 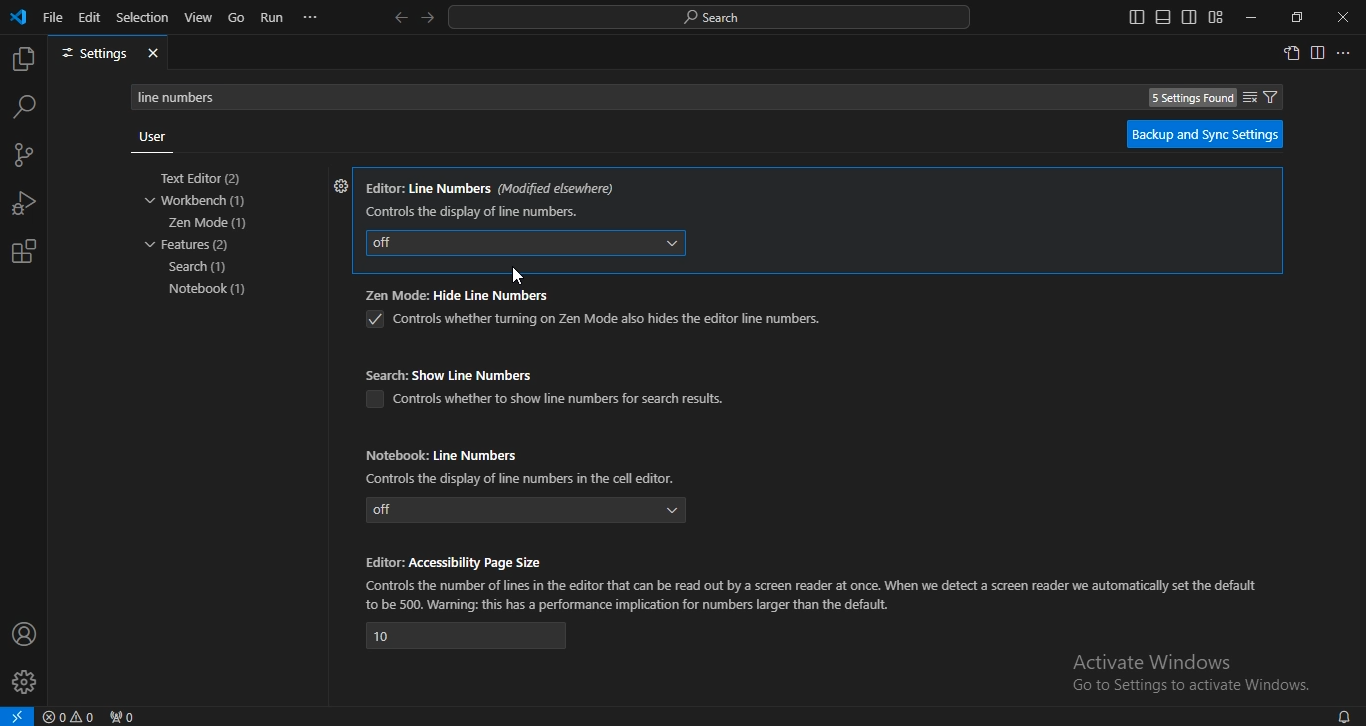 What do you see at coordinates (593, 311) in the screenshot?
I see `Zen Mode: Hide Line Numbers/ Controls whether turing on Zen Mode also hides the editor line numbers.` at bounding box center [593, 311].